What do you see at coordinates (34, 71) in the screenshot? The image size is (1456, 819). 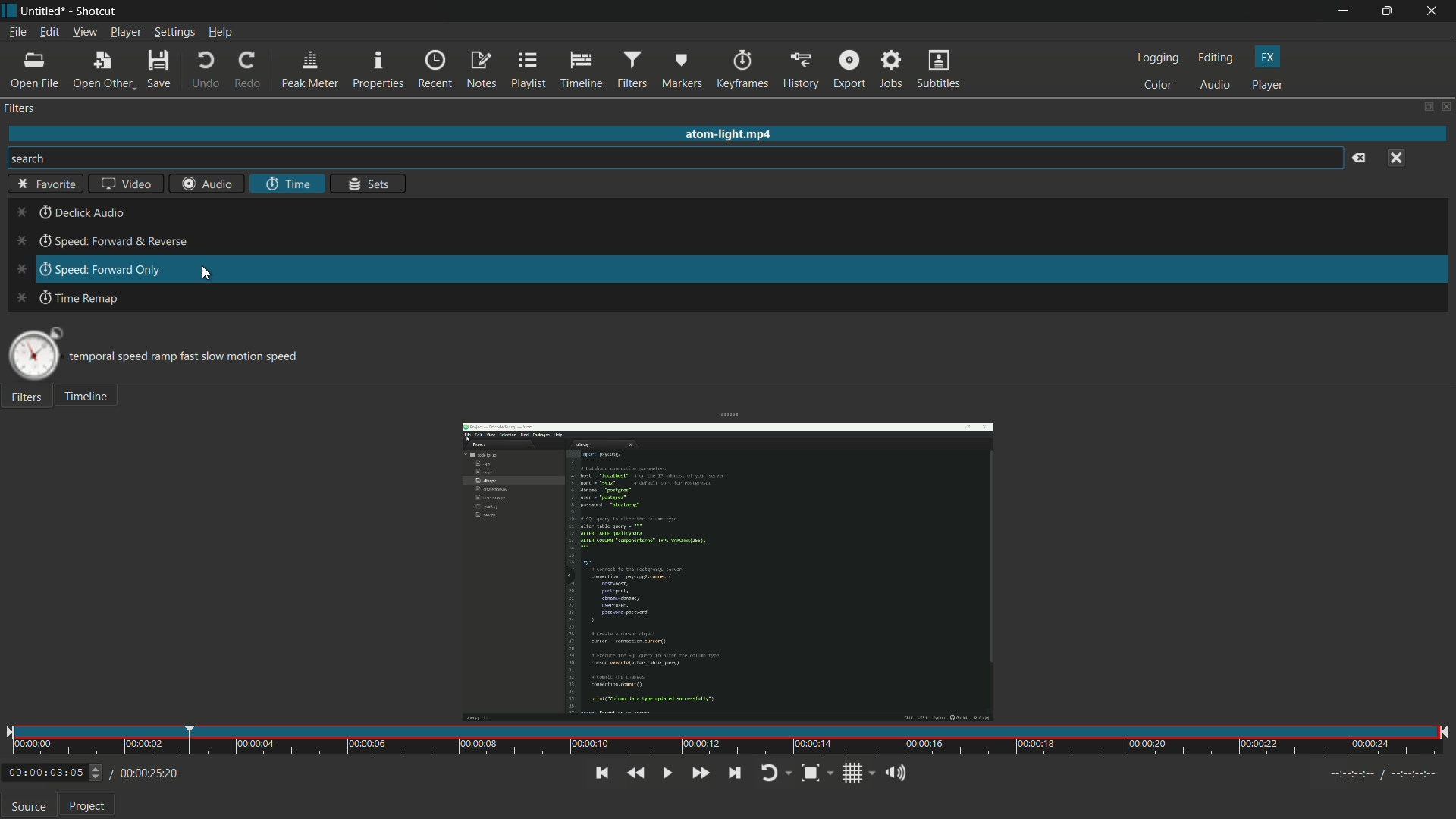 I see `open file` at bounding box center [34, 71].